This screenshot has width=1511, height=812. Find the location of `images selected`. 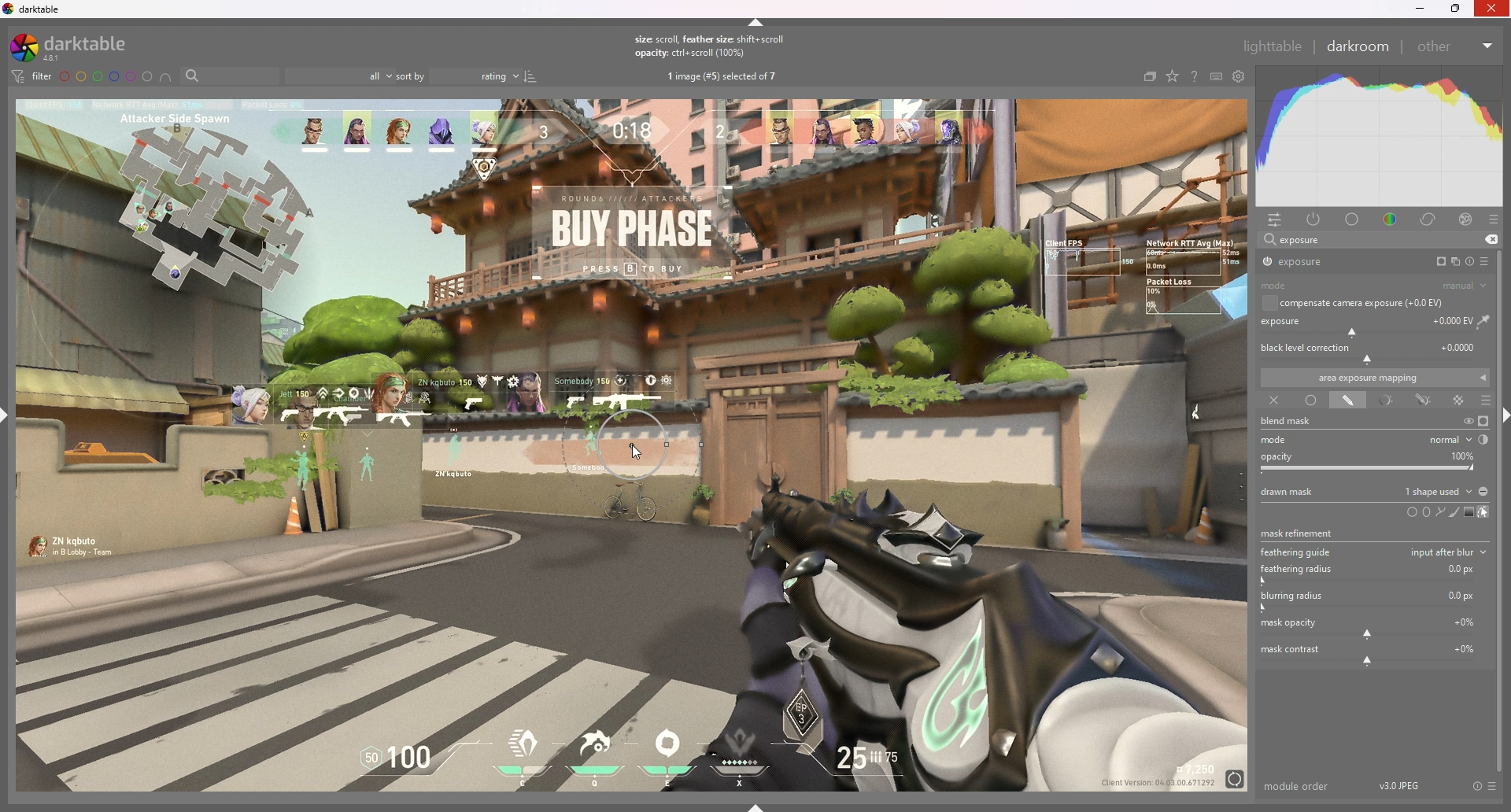

images selected is located at coordinates (724, 77).